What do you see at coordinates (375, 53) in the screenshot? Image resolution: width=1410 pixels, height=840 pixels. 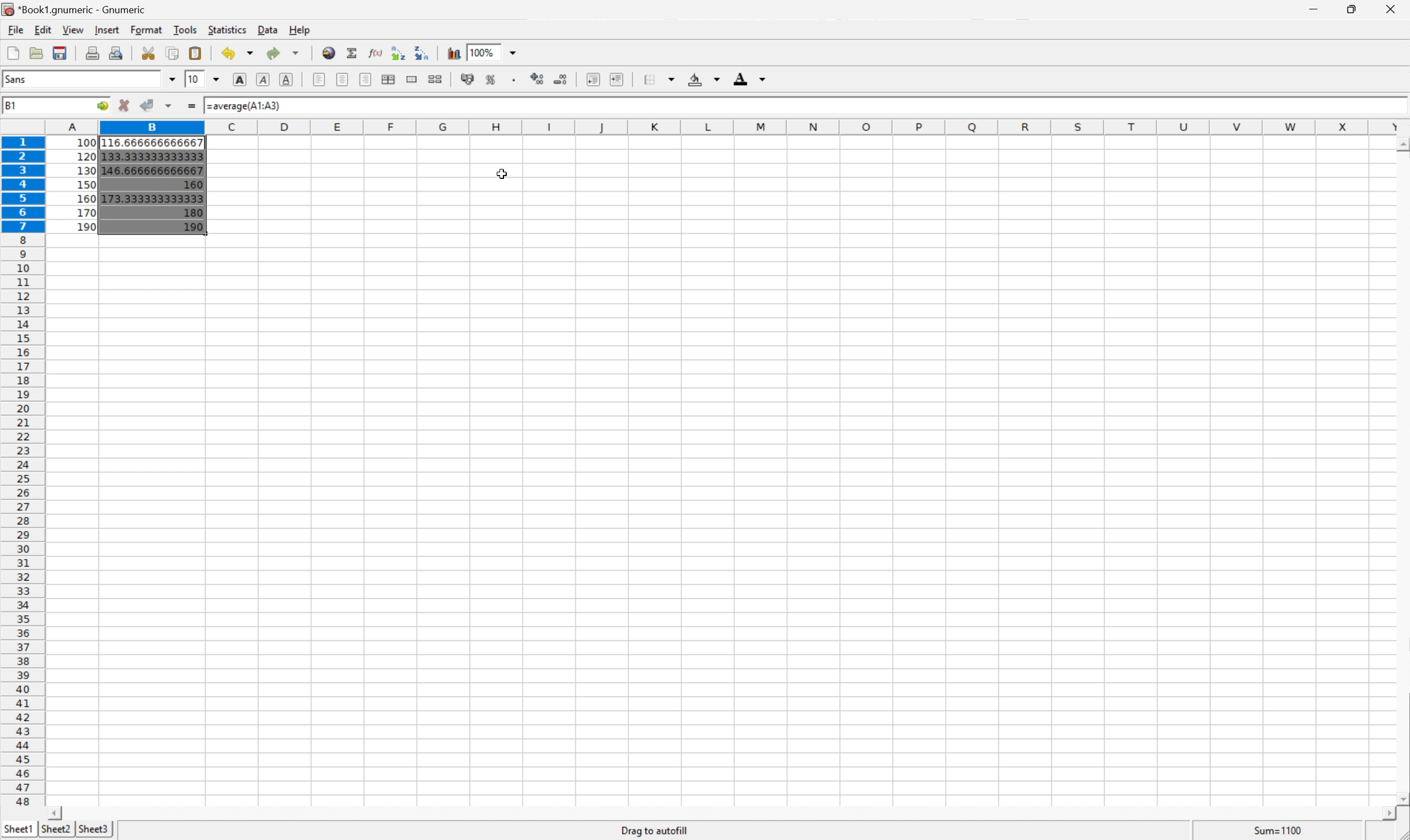 I see `Edit function in current cell` at bounding box center [375, 53].